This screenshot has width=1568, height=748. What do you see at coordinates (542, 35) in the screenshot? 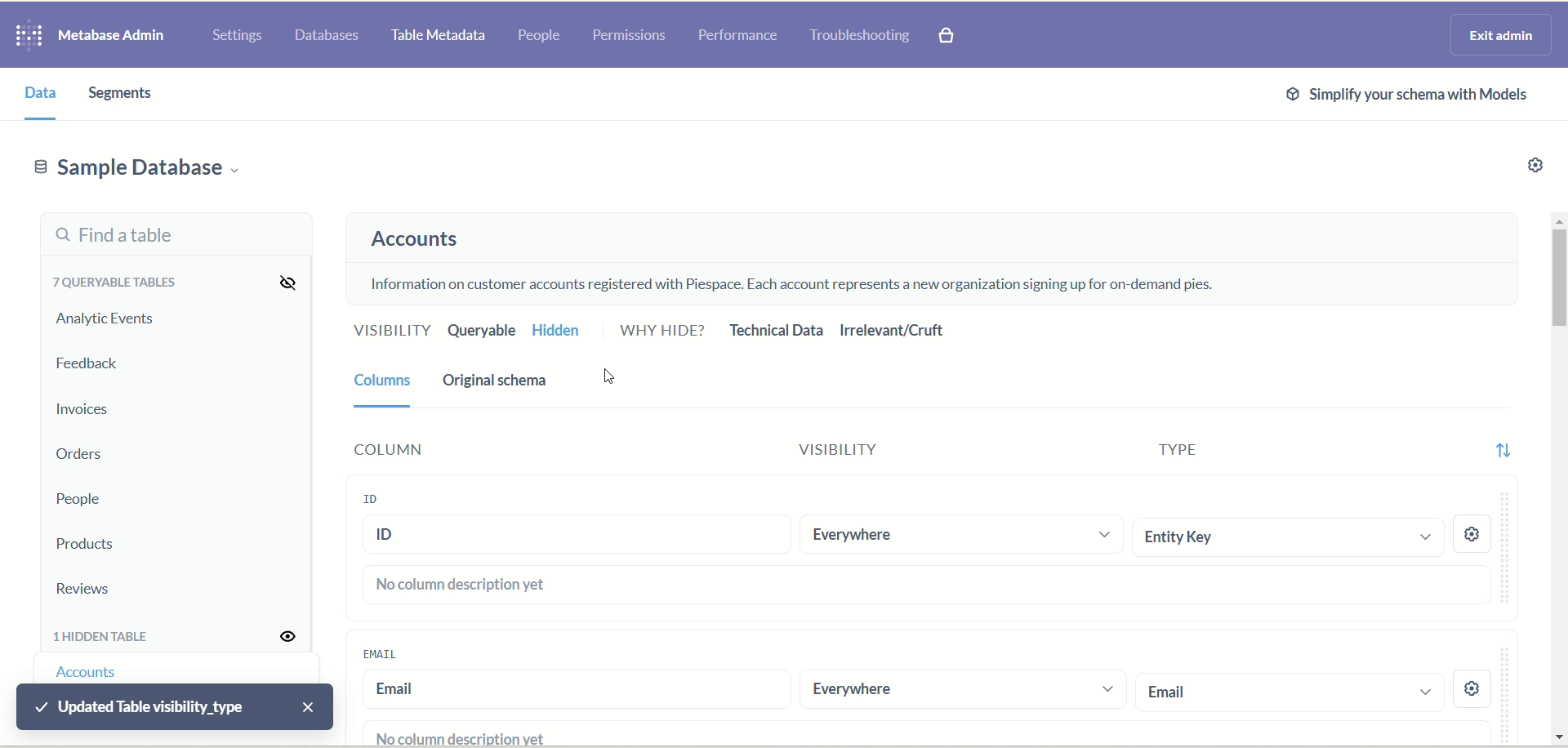
I see `people` at bounding box center [542, 35].